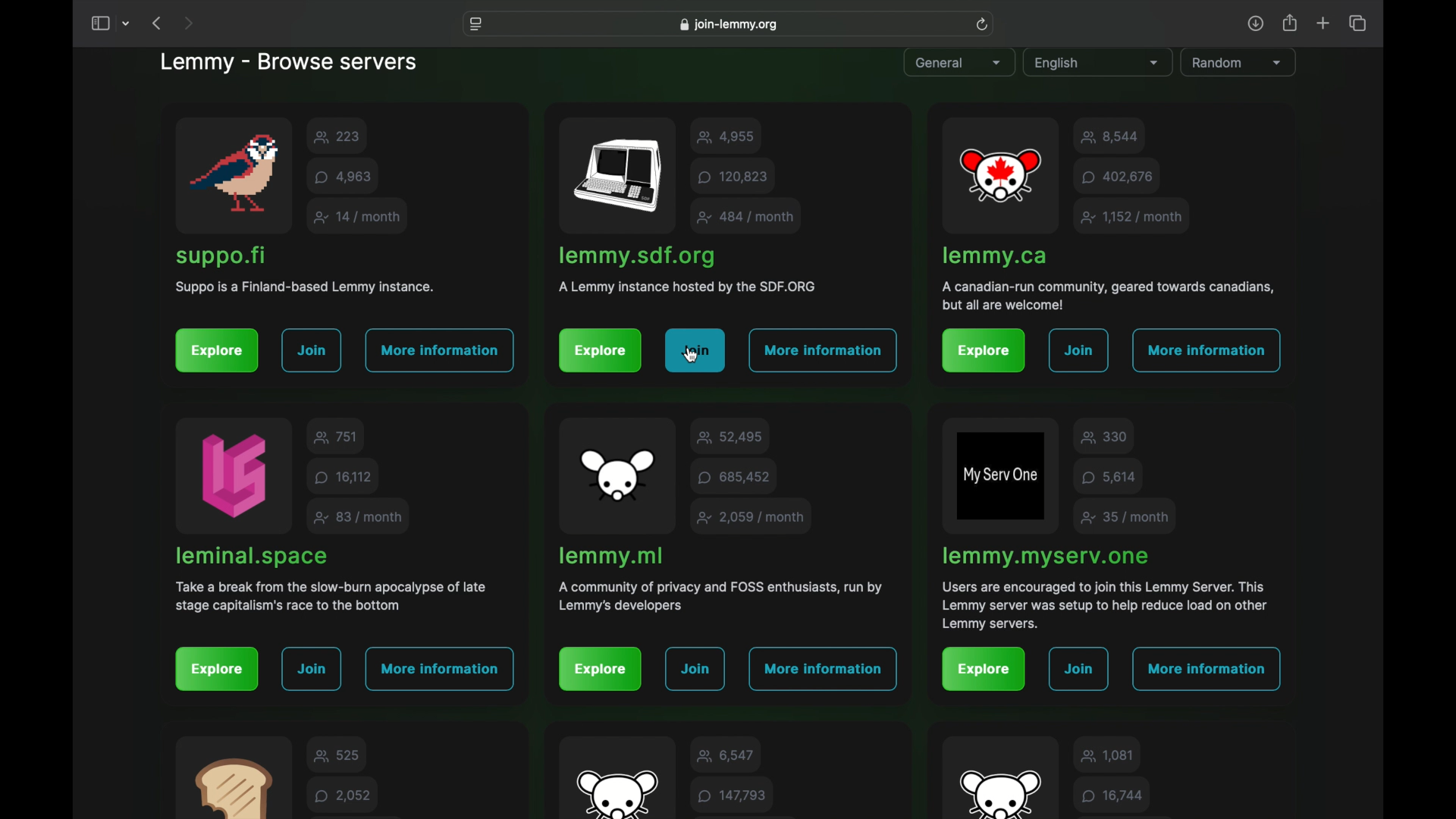  What do you see at coordinates (618, 475) in the screenshot?
I see `lemmy icon` at bounding box center [618, 475].